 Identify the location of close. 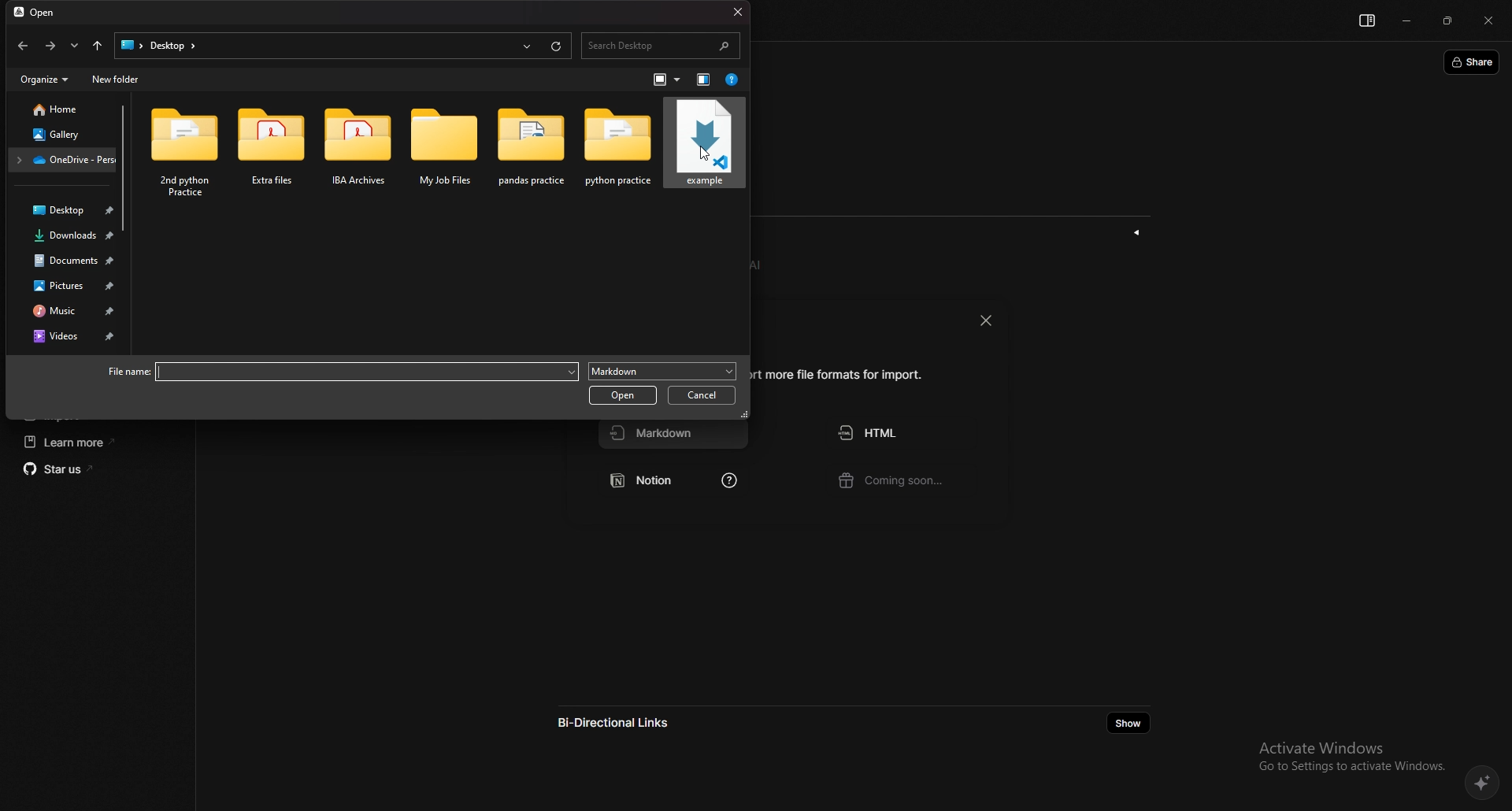
(985, 320).